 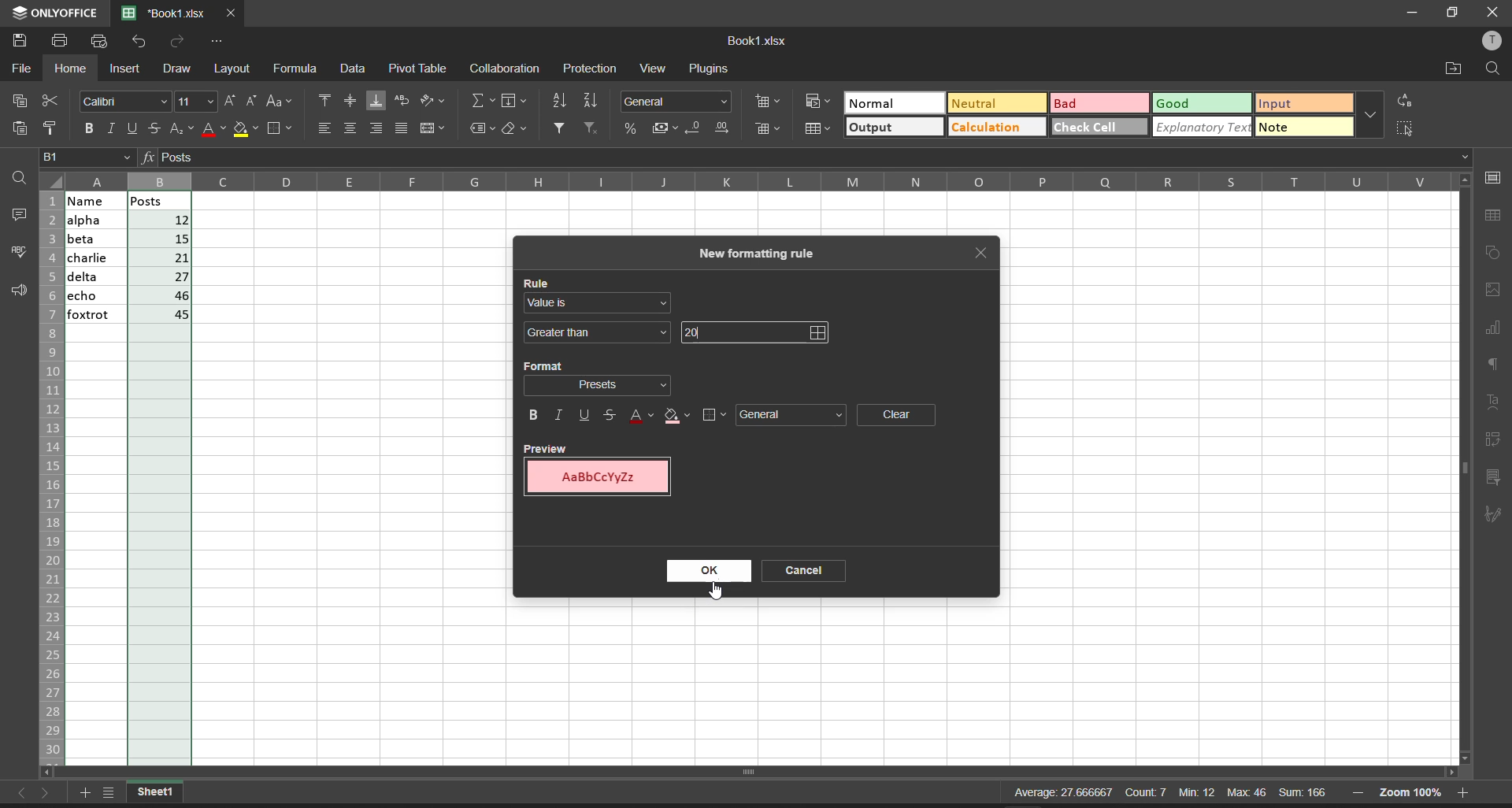 What do you see at coordinates (22, 41) in the screenshot?
I see `save` at bounding box center [22, 41].